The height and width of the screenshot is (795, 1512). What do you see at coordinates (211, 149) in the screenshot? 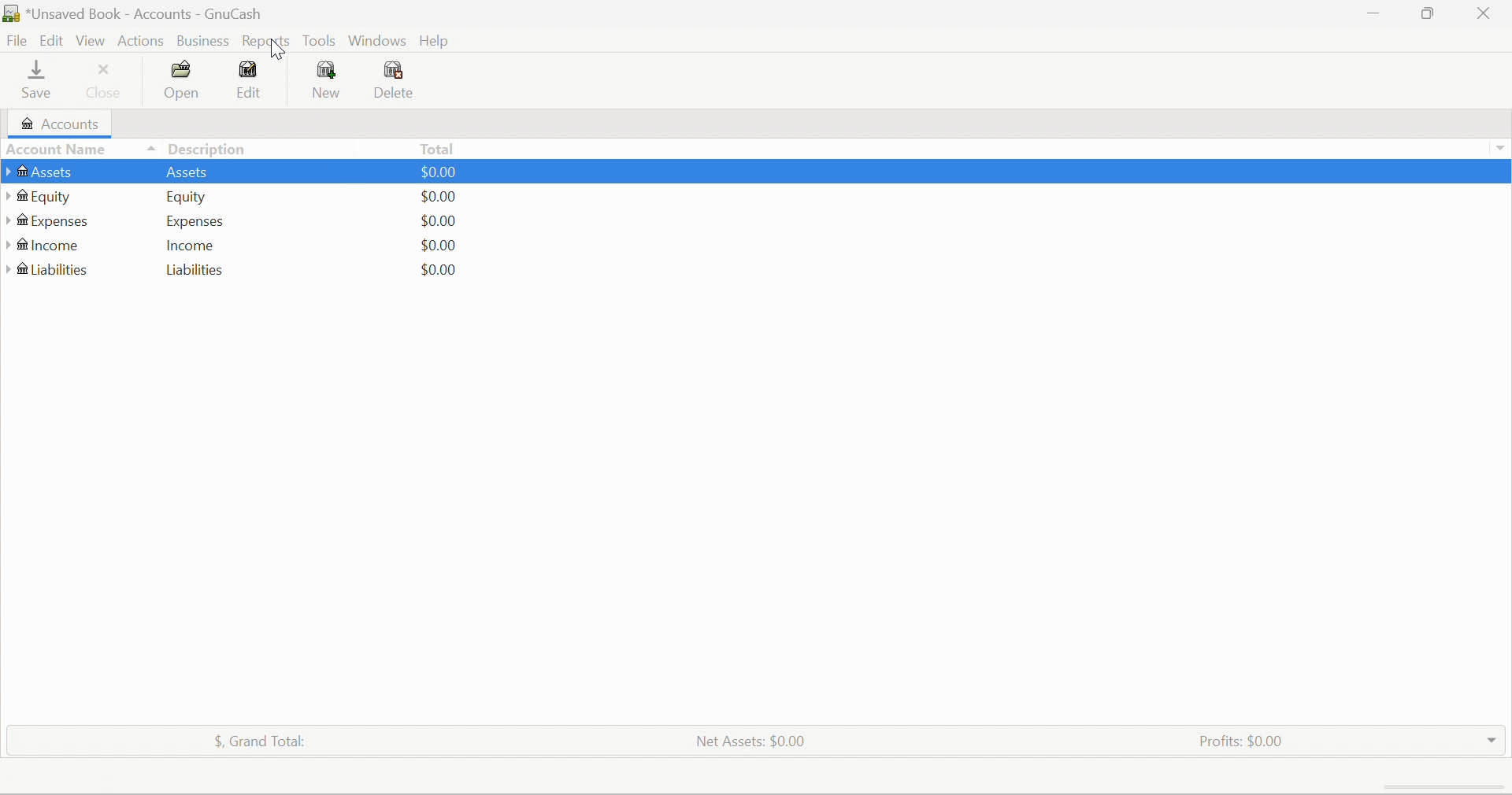
I see `Description` at bounding box center [211, 149].